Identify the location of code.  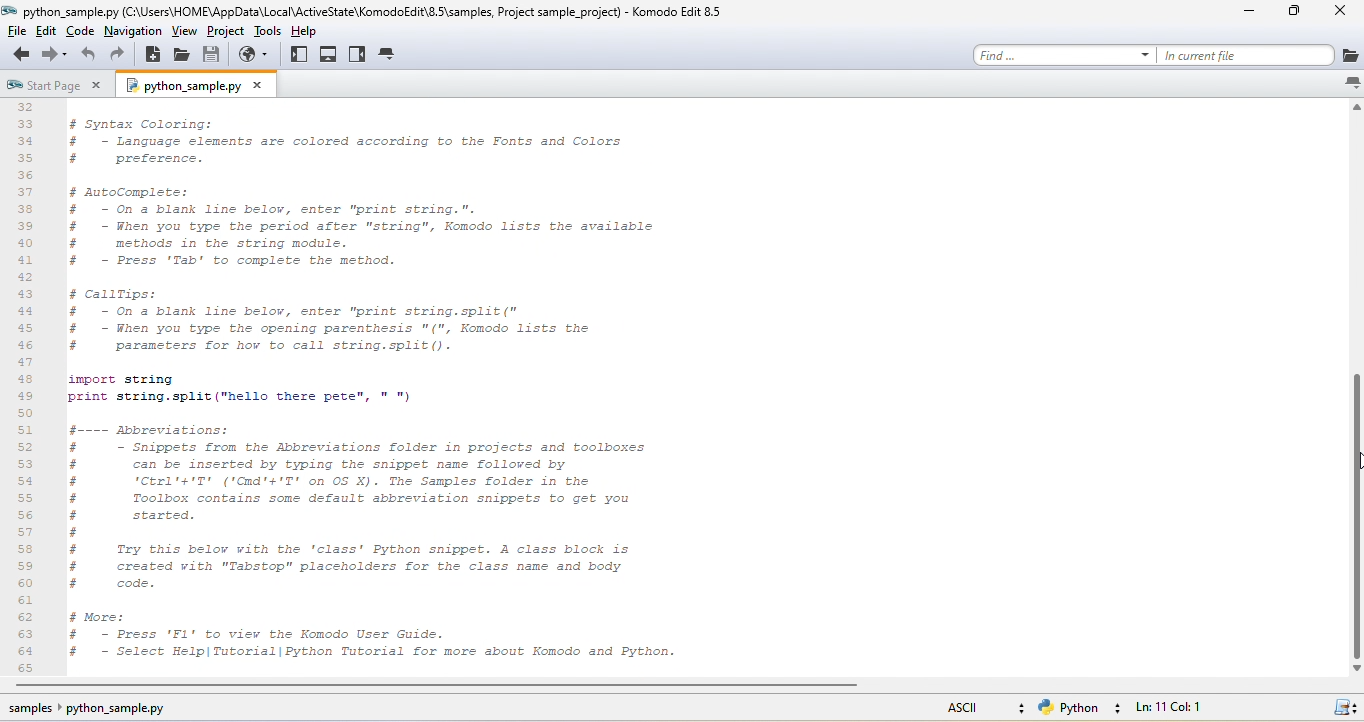
(82, 32).